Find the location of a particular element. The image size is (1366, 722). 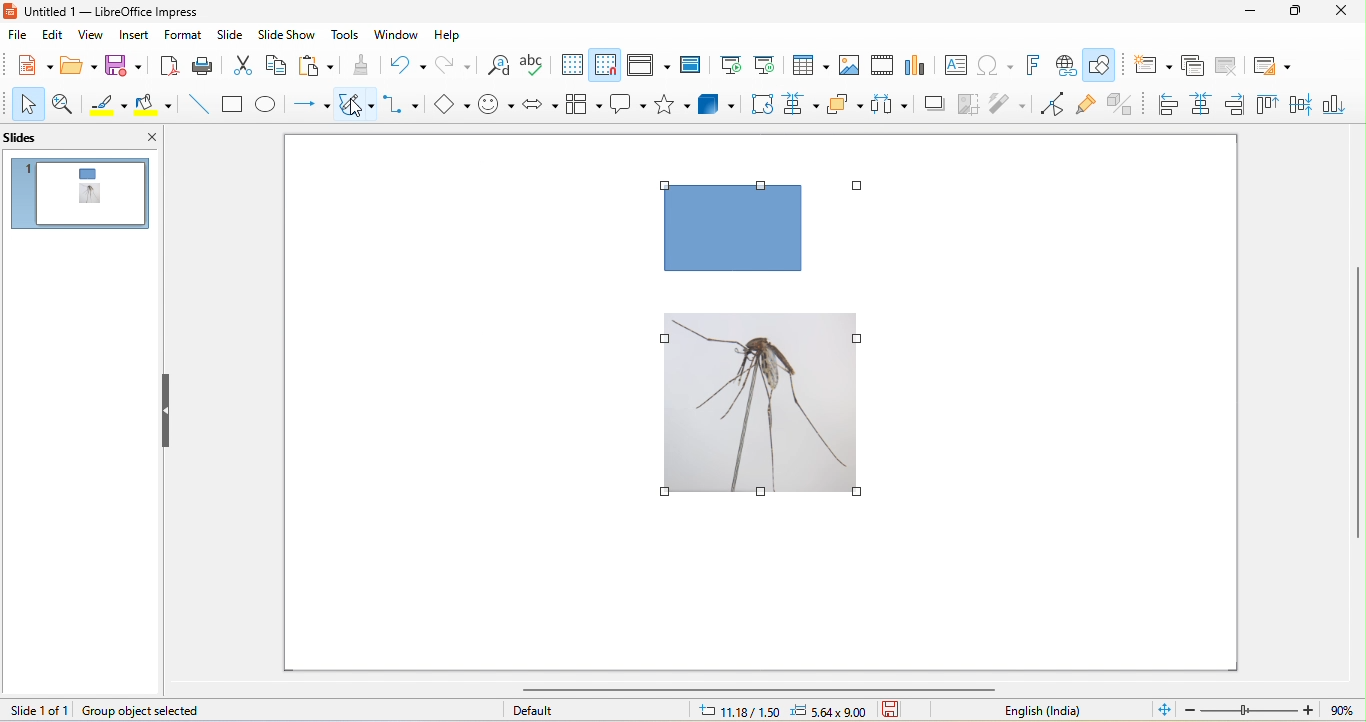

point edit mode is located at coordinates (1052, 105).